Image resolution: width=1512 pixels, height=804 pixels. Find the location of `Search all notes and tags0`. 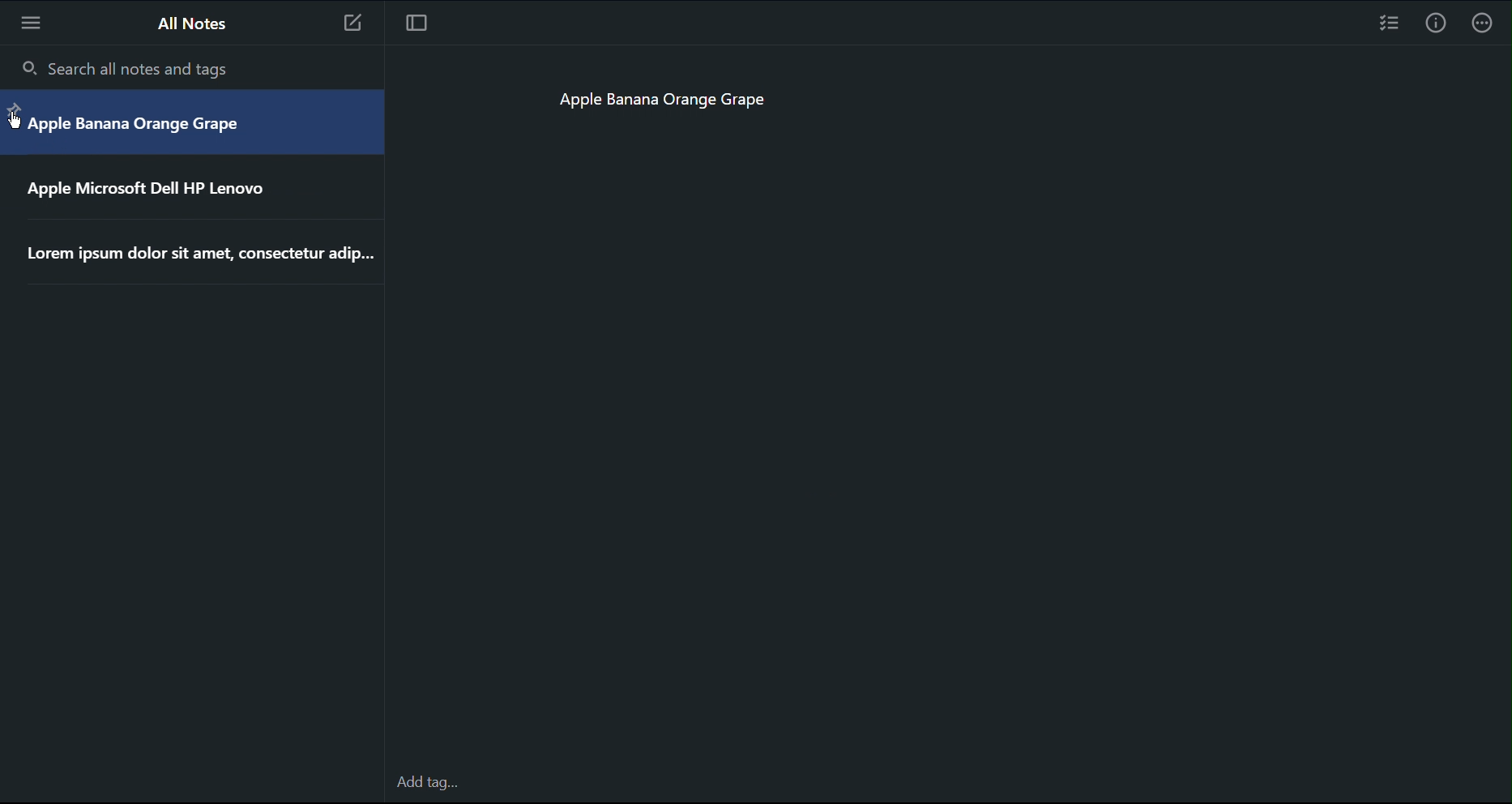

Search all notes and tags0 is located at coordinates (134, 70).